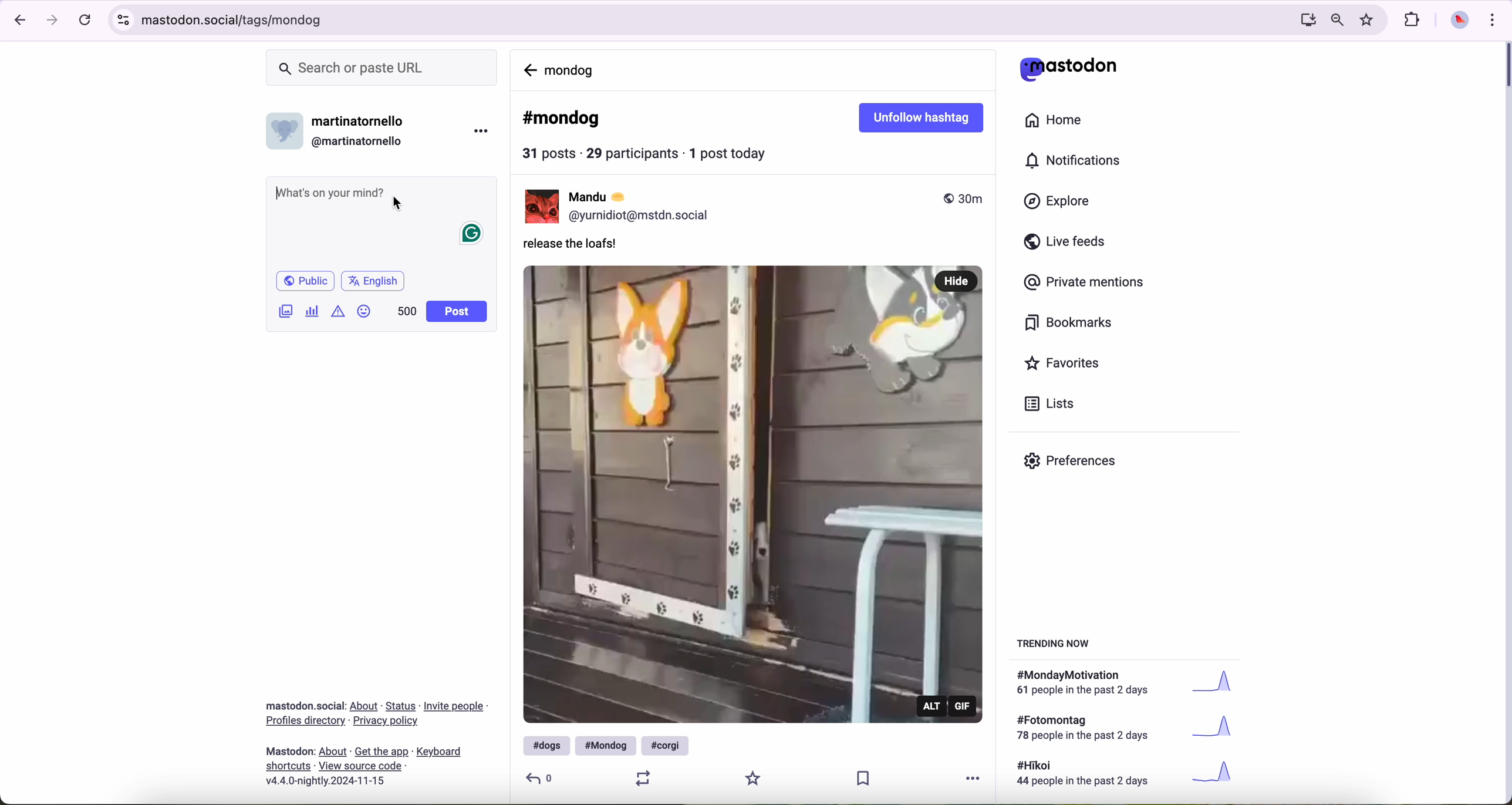 This screenshot has width=1512, height=805. I want to click on extensions, so click(1413, 21).